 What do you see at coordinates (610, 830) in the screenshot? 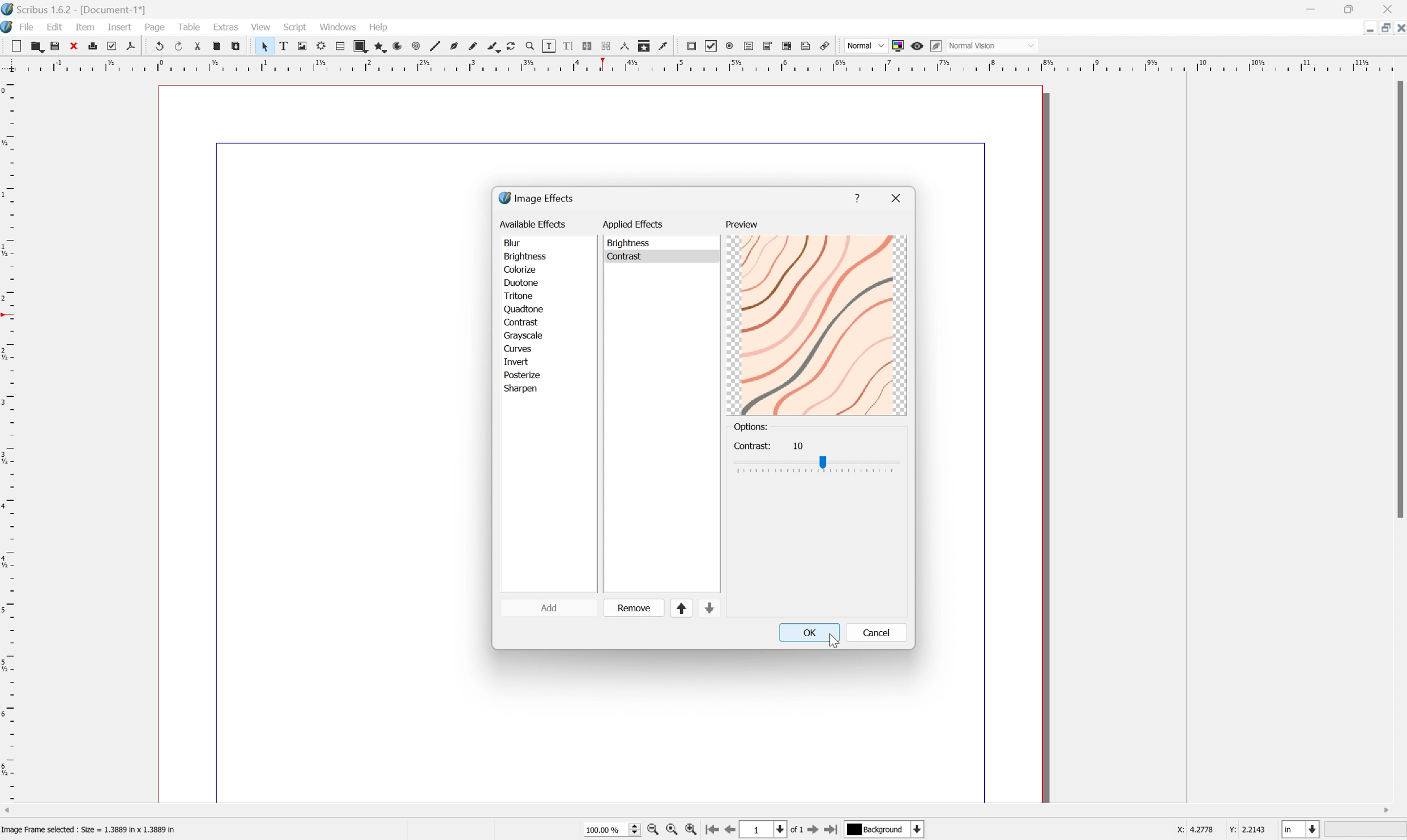
I see `Zoom 100%` at bounding box center [610, 830].